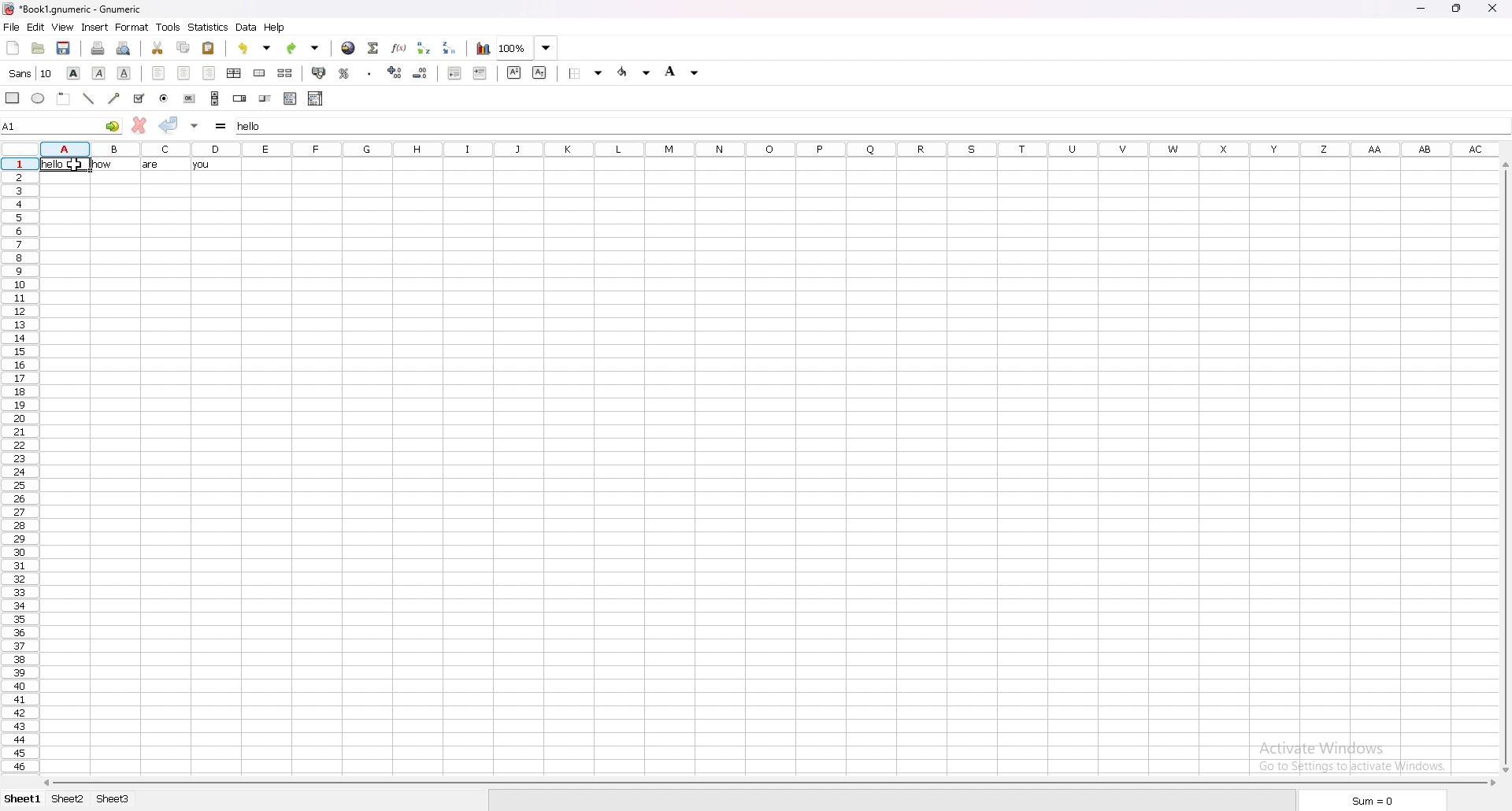  I want to click on decrease decimal, so click(421, 73).